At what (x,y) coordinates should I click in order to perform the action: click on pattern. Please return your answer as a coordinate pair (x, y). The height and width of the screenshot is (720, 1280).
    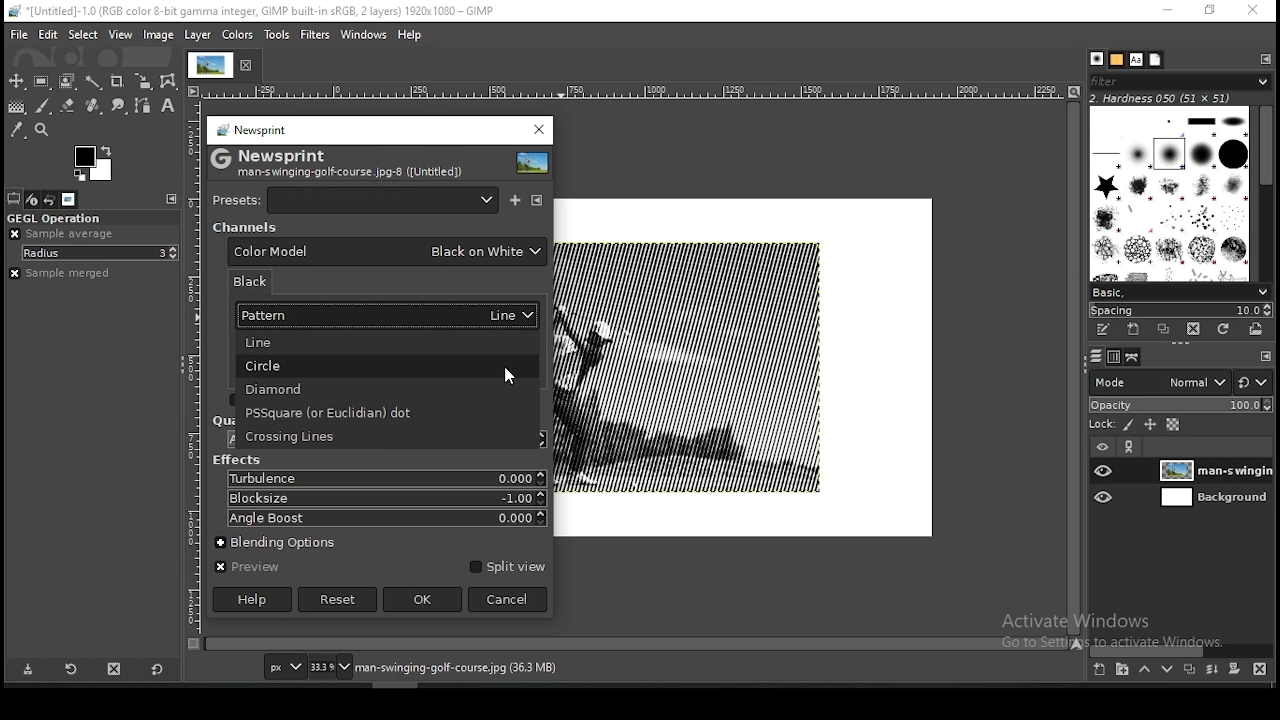
    Looking at the image, I should click on (387, 314).